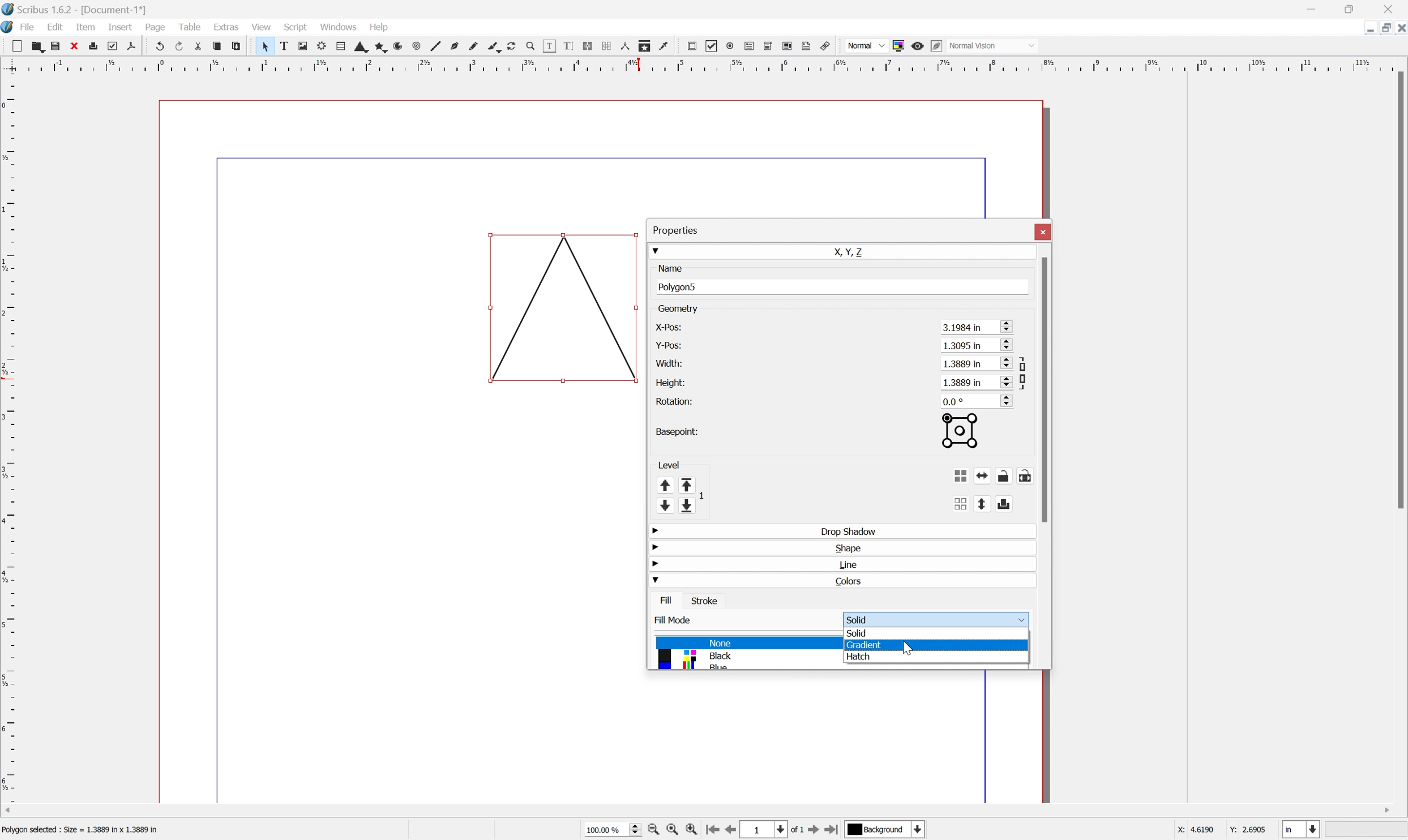  I want to click on Help, so click(379, 28).